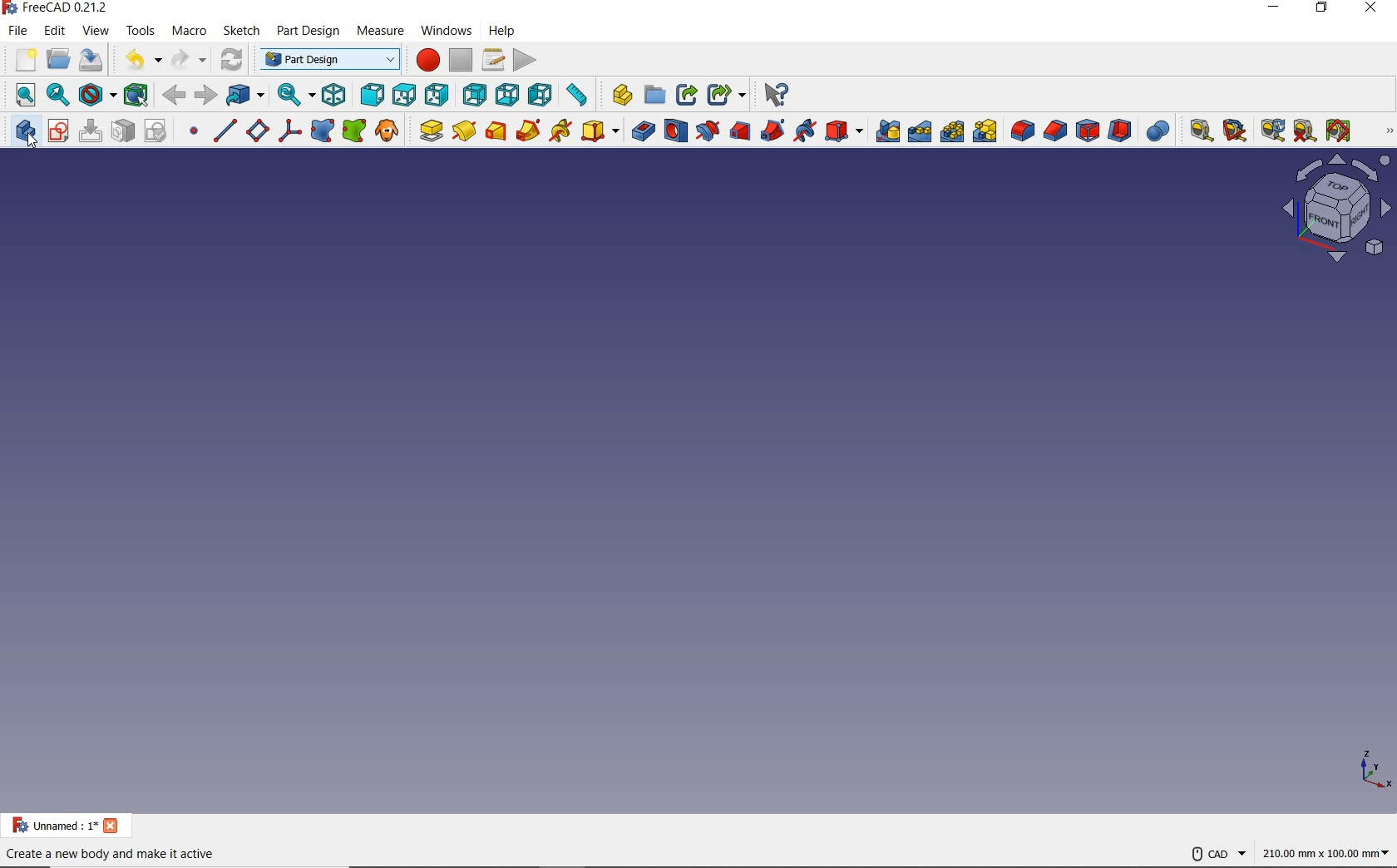 This screenshot has height=868, width=1397. What do you see at coordinates (1328, 852) in the screenshot?
I see `dimensions` at bounding box center [1328, 852].